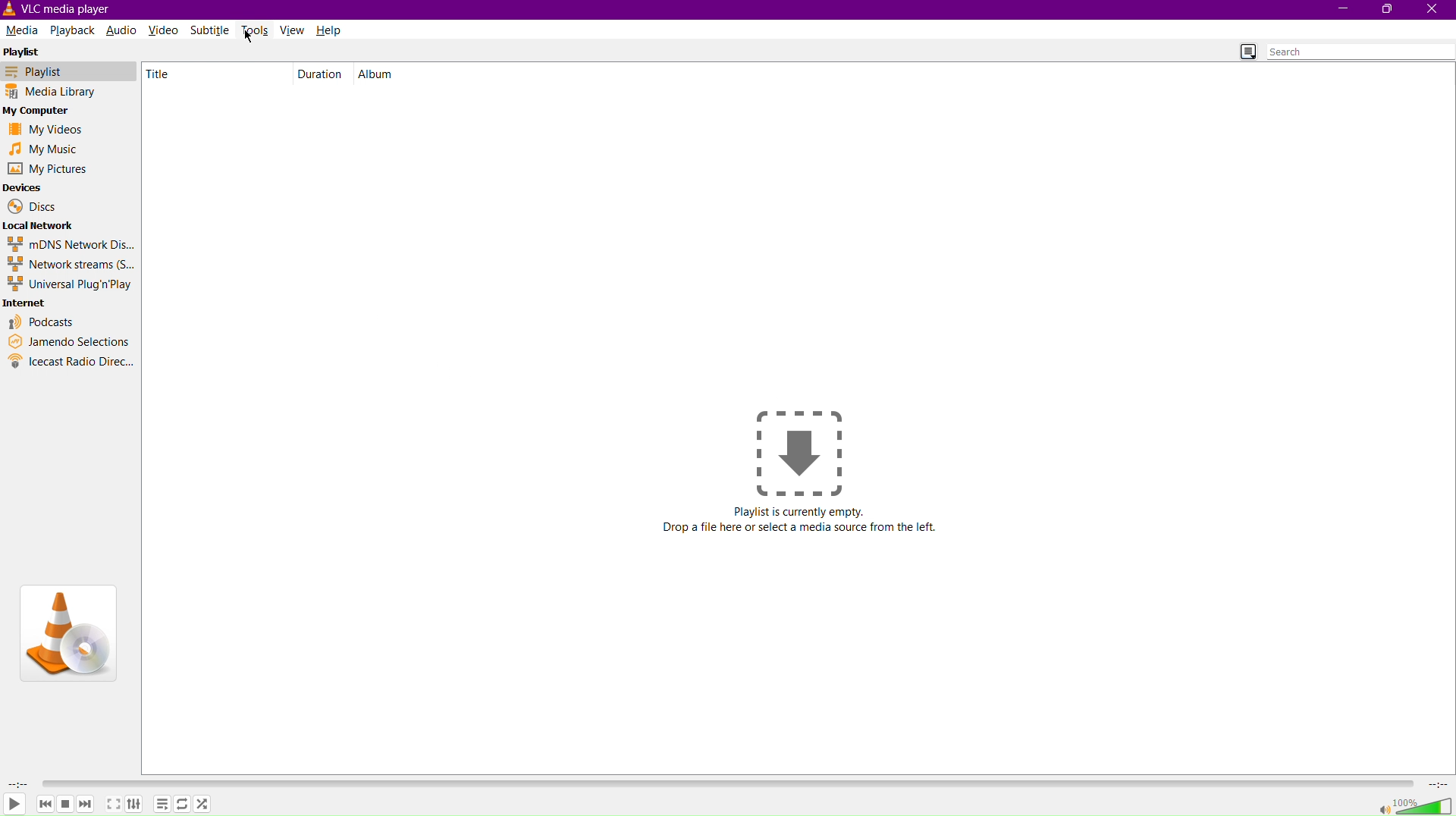 The image size is (1456, 816). What do you see at coordinates (204, 805) in the screenshot?
I see `Shuffle` at bounding box center [204, 805].